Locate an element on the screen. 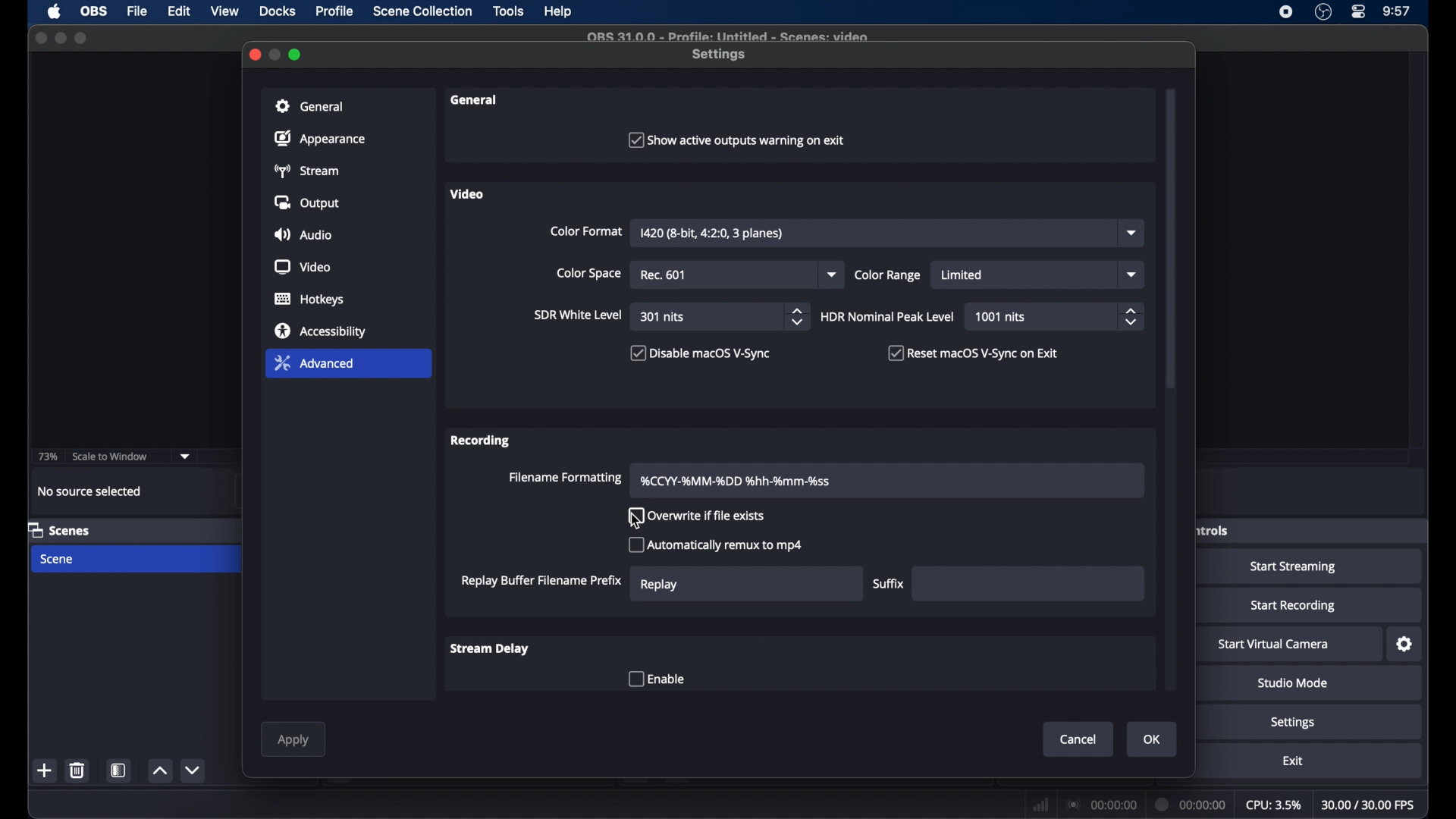 This screenshot has height=819, width=1456. settings is located at coordinates (720, 55).